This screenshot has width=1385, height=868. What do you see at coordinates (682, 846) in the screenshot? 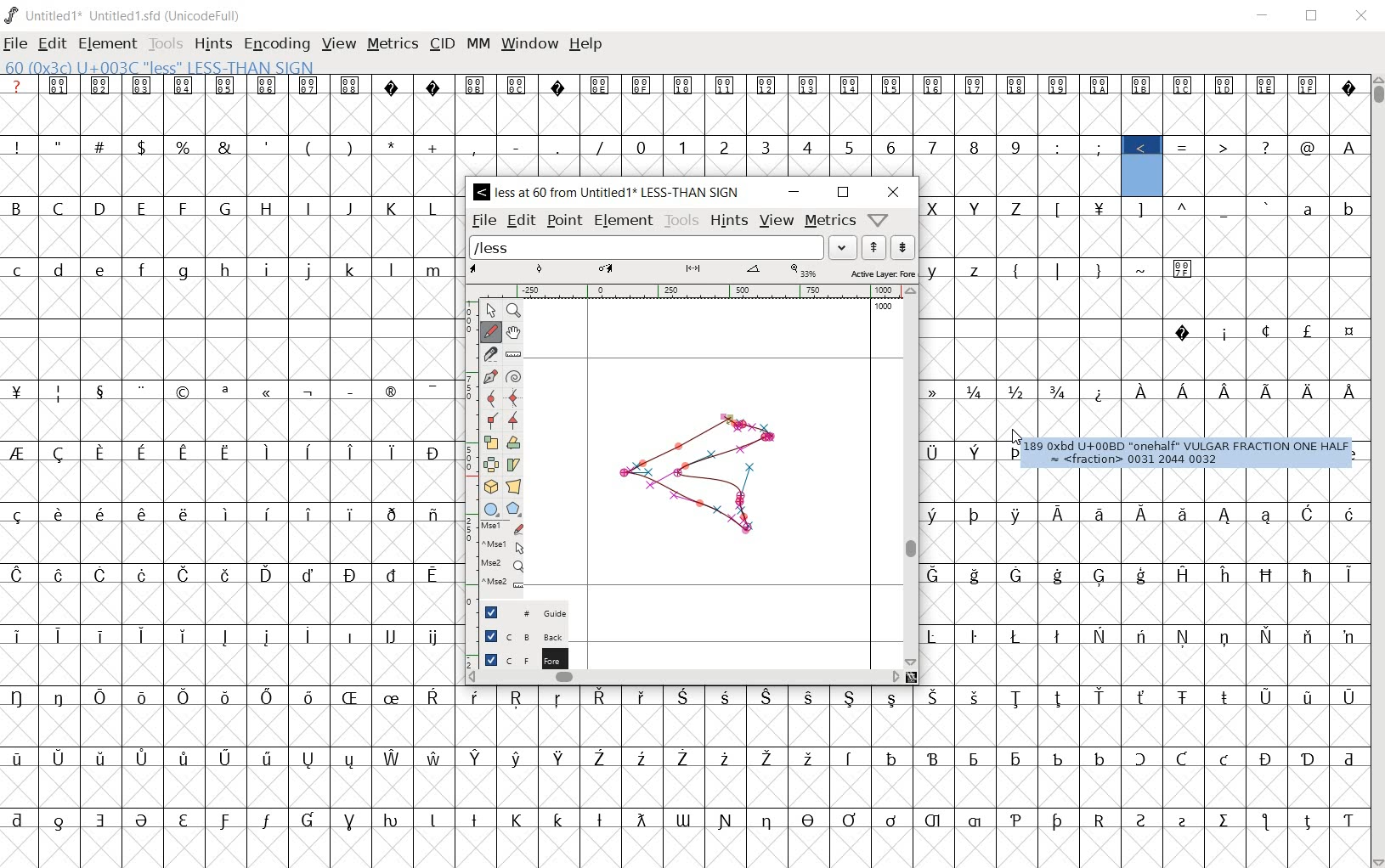
I see `empty cells` at bounding box center [682, 846].